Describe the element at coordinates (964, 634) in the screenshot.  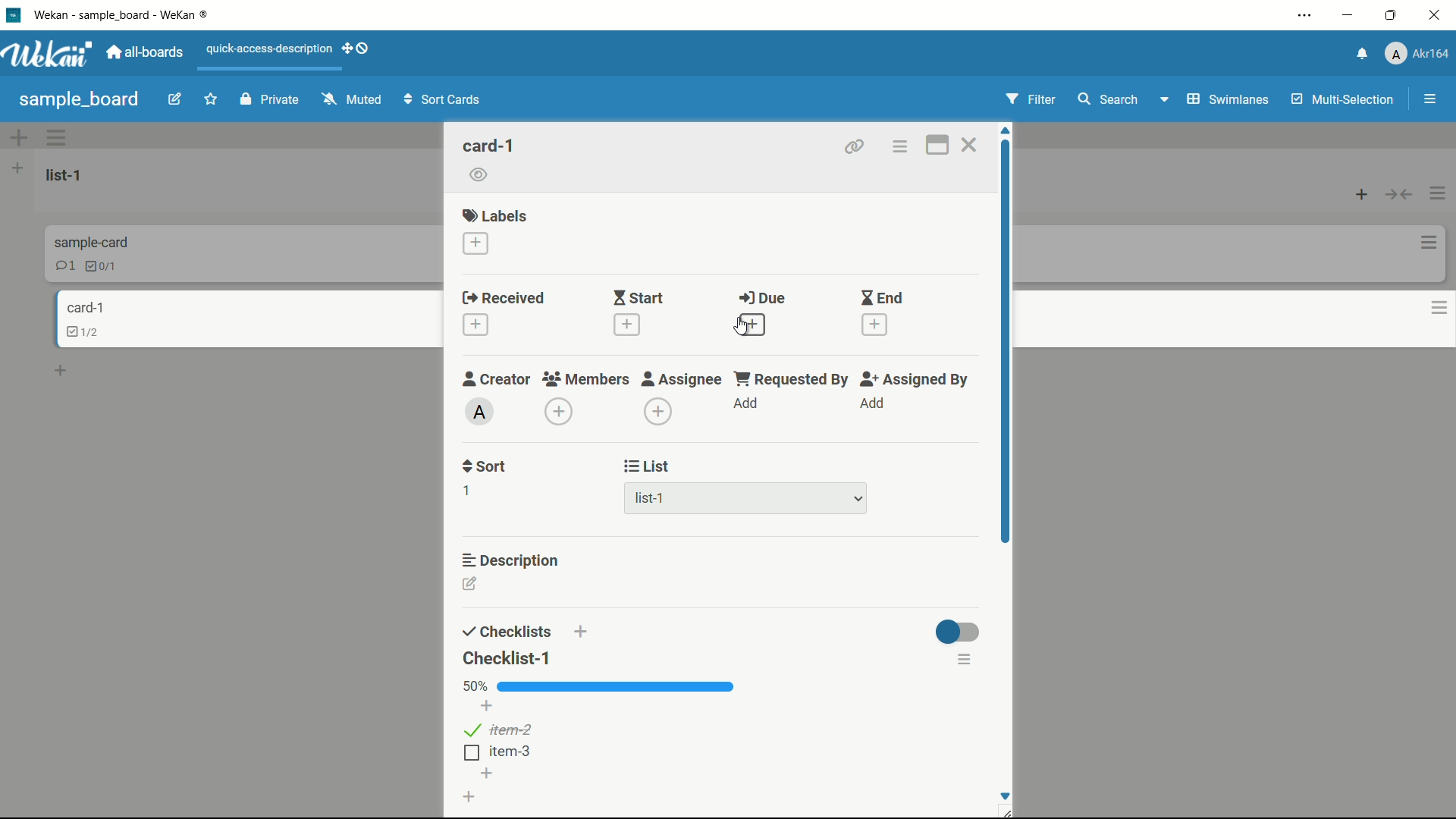
I see `toggle button` at that location.